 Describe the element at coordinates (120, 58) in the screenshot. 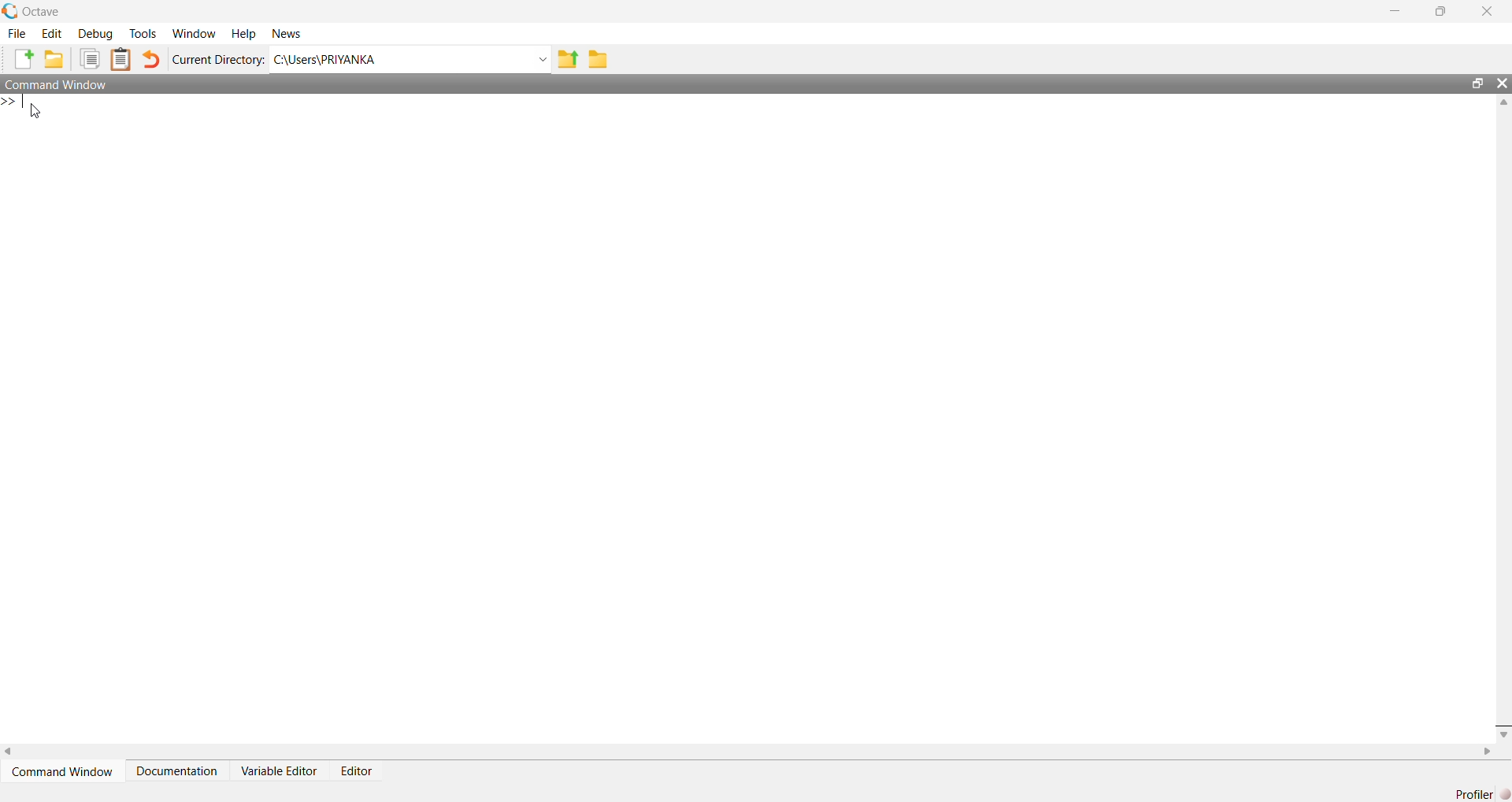

I see `clip board` at that location.